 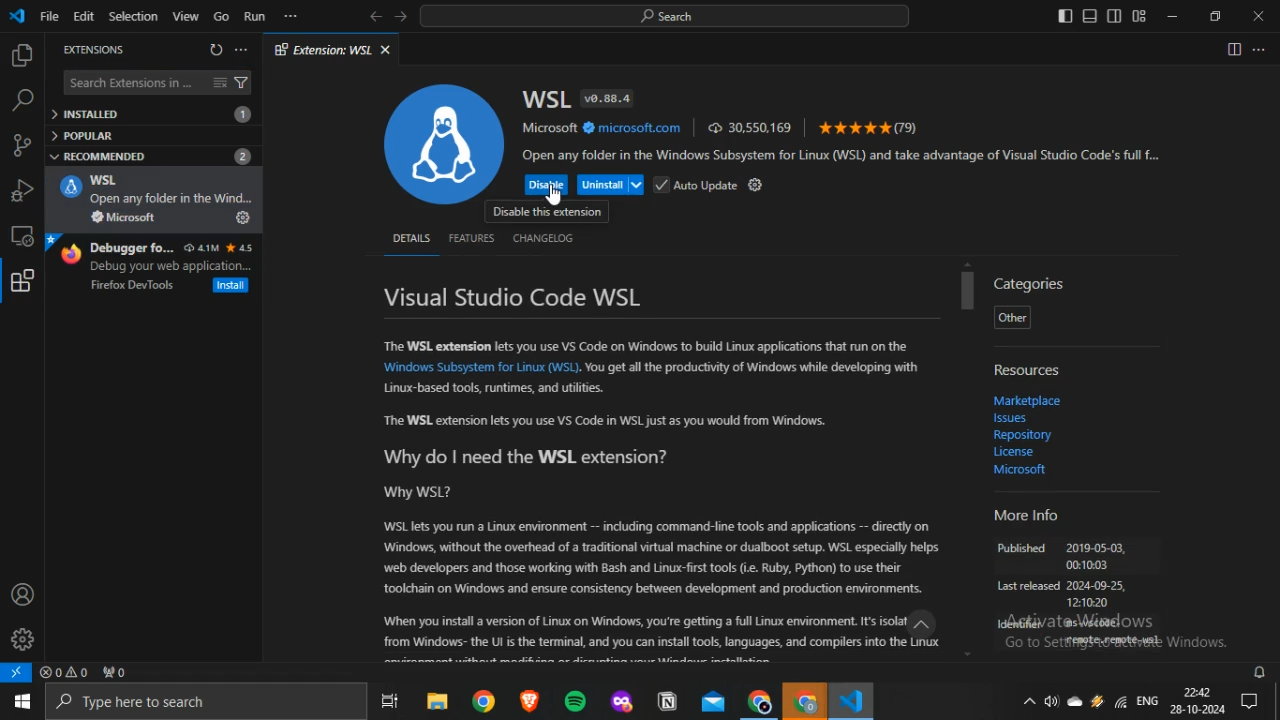 What do you see at coordinates (1196, 690) in the screenshot?
I see `22:42` at bounding box center [1196, 690].